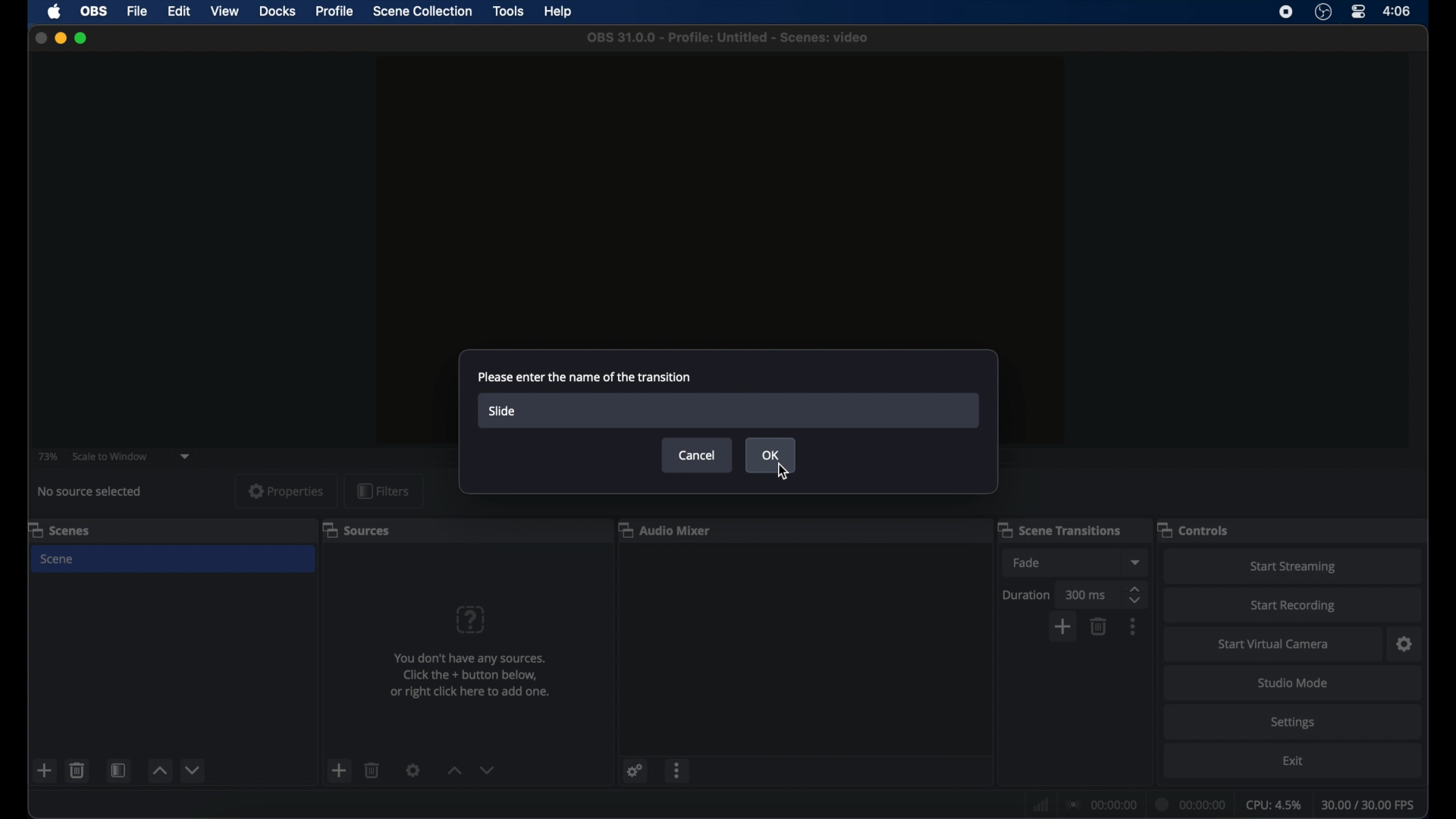  What do you see at coordinates (55, 11) in the screenshot?
I see `apple icon` at bounding box center [55, 11].